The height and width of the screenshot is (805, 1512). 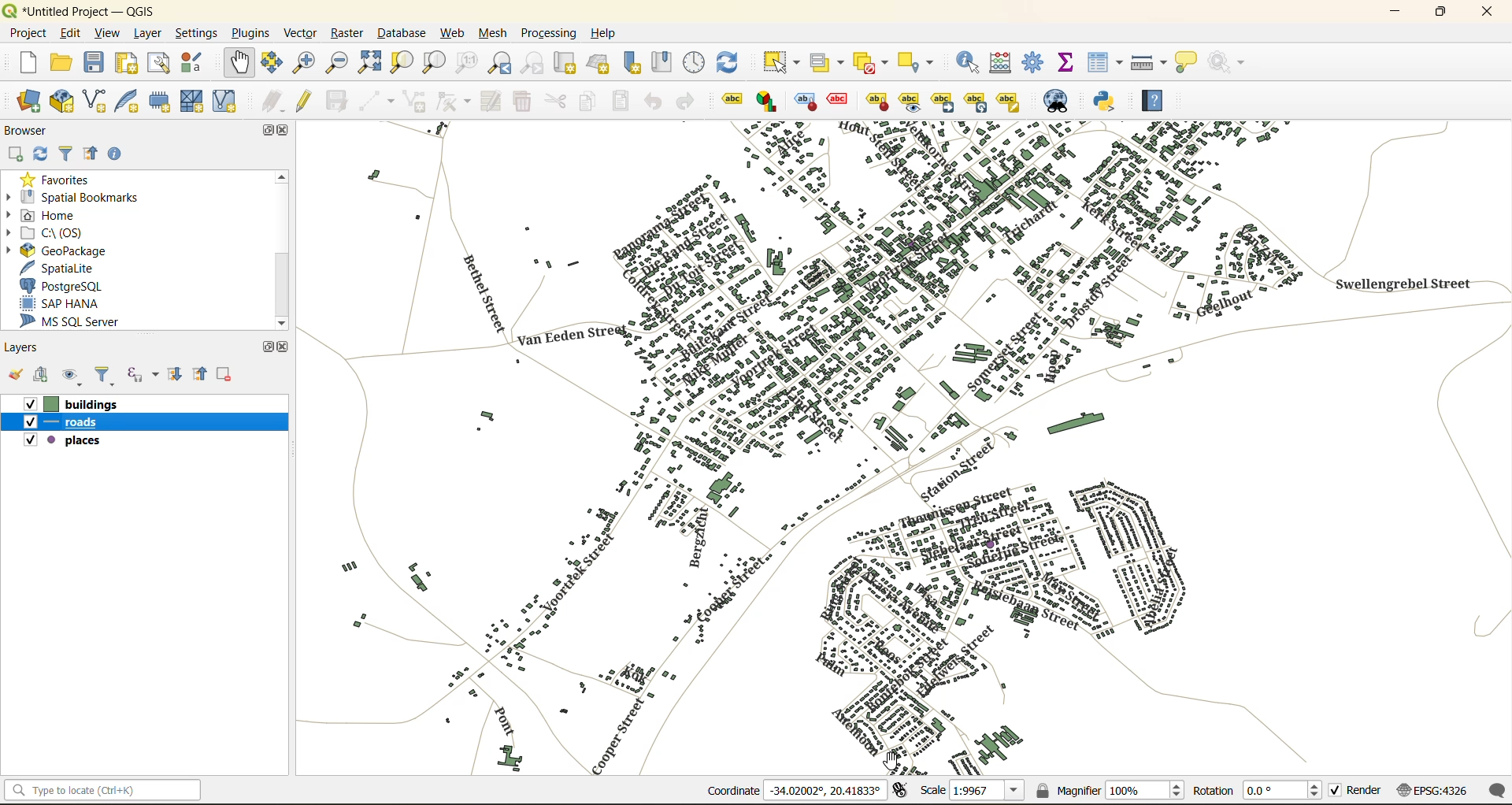 What do you see at coordinates (24, 103) in the screenshot?
I see `open data source manager` at bounding box center [24, 103].